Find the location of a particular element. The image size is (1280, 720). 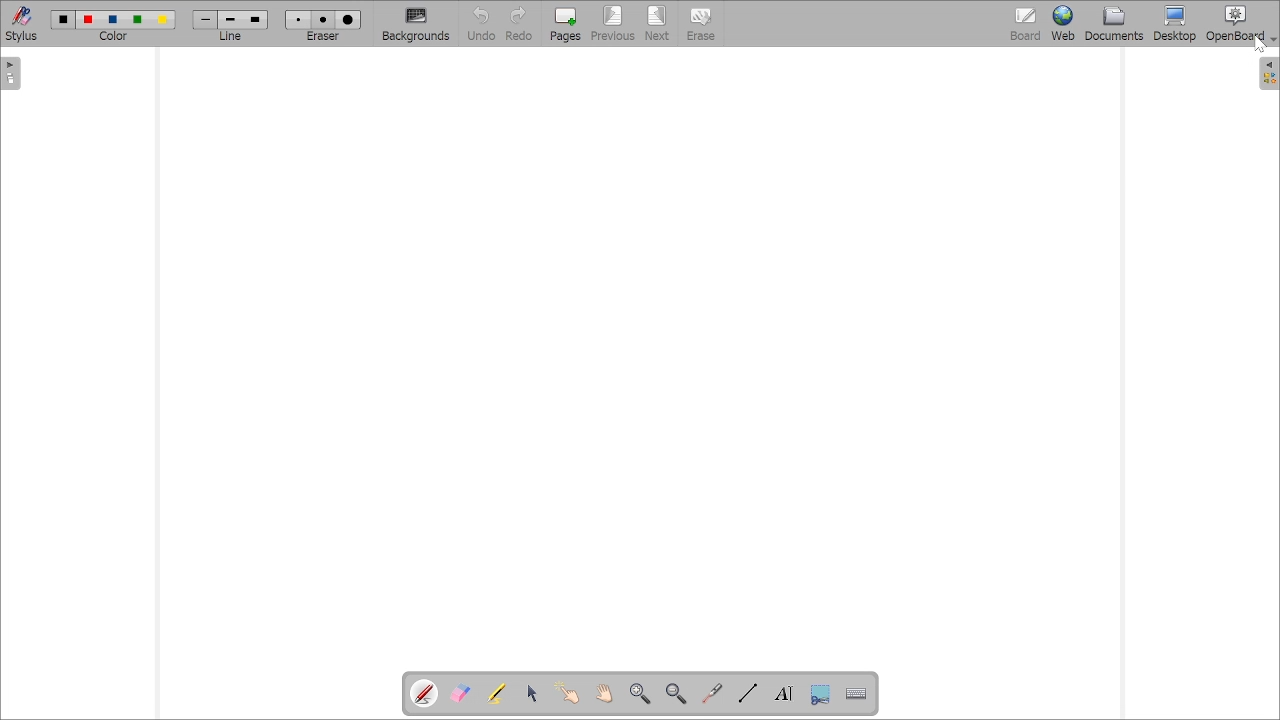

Interact with items is located at coordinates (566, 693).